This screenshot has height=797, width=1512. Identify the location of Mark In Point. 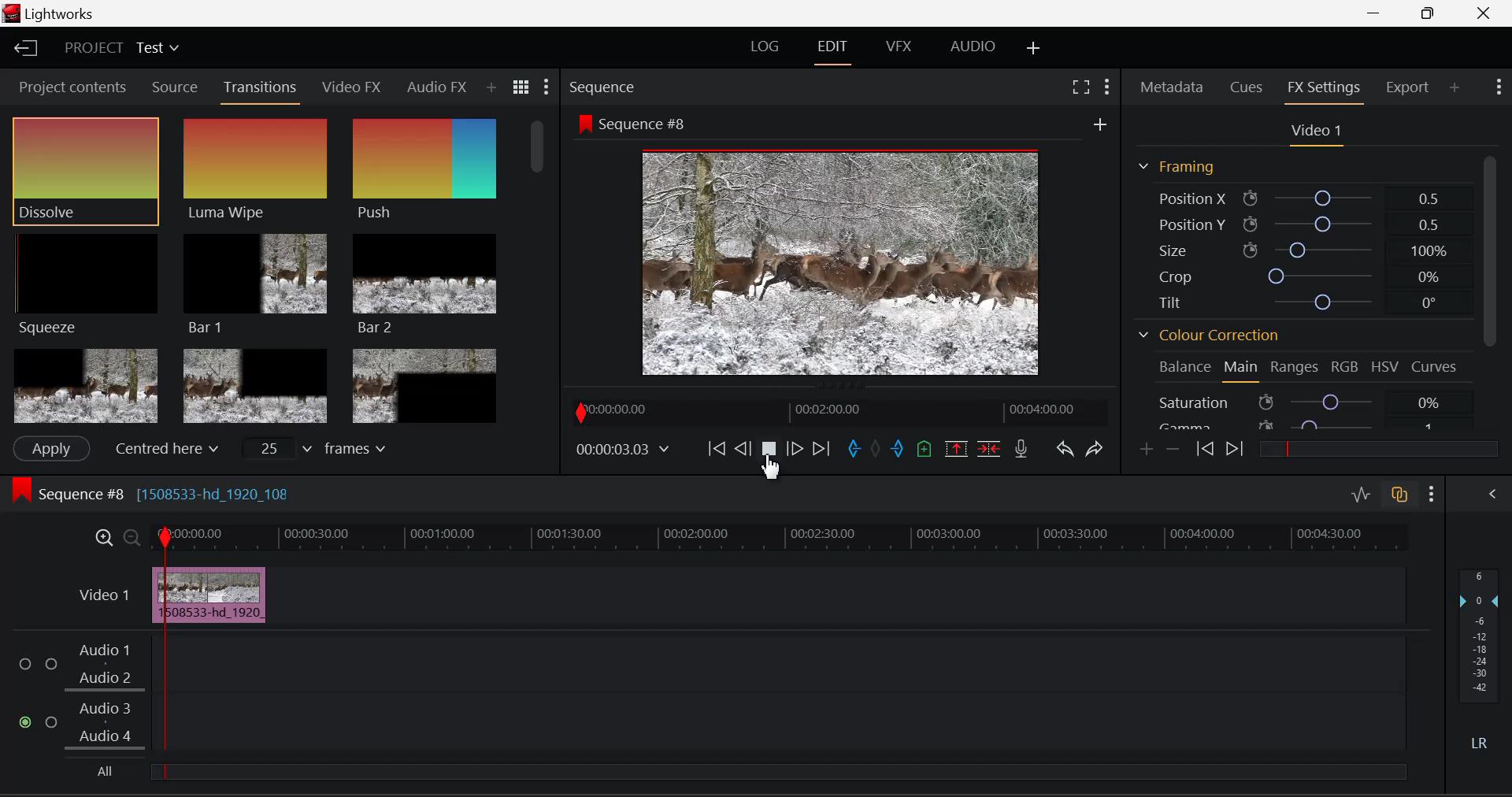
(165, 654).